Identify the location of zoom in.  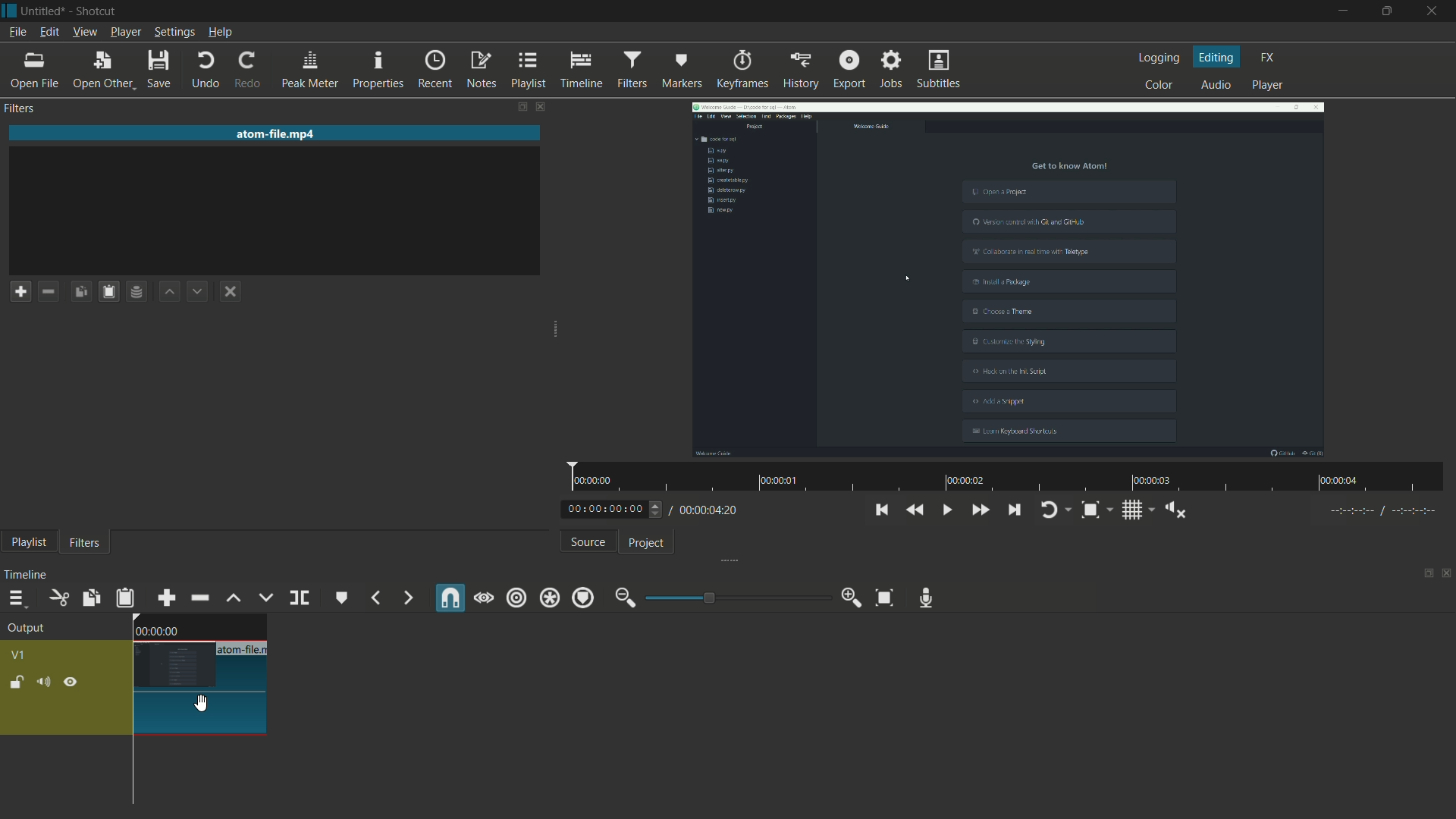
(849, 598).